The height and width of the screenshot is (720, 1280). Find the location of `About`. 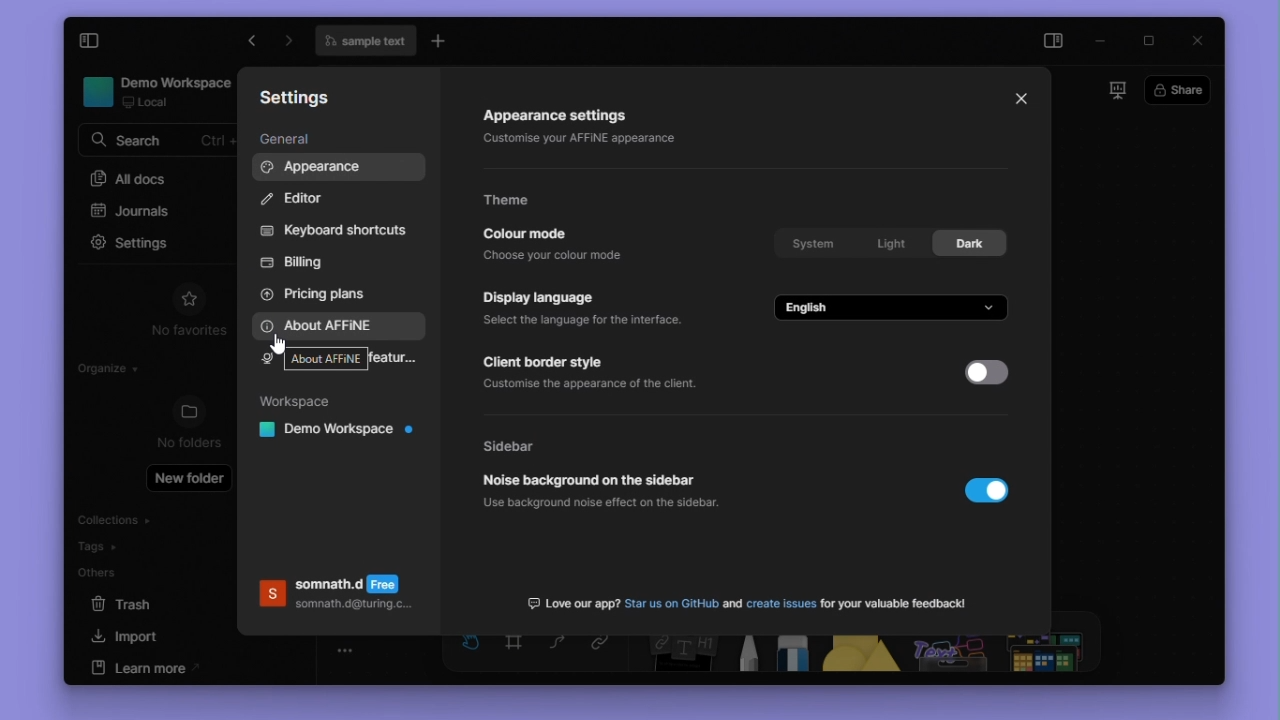

About is located at coordinates (329, 358).